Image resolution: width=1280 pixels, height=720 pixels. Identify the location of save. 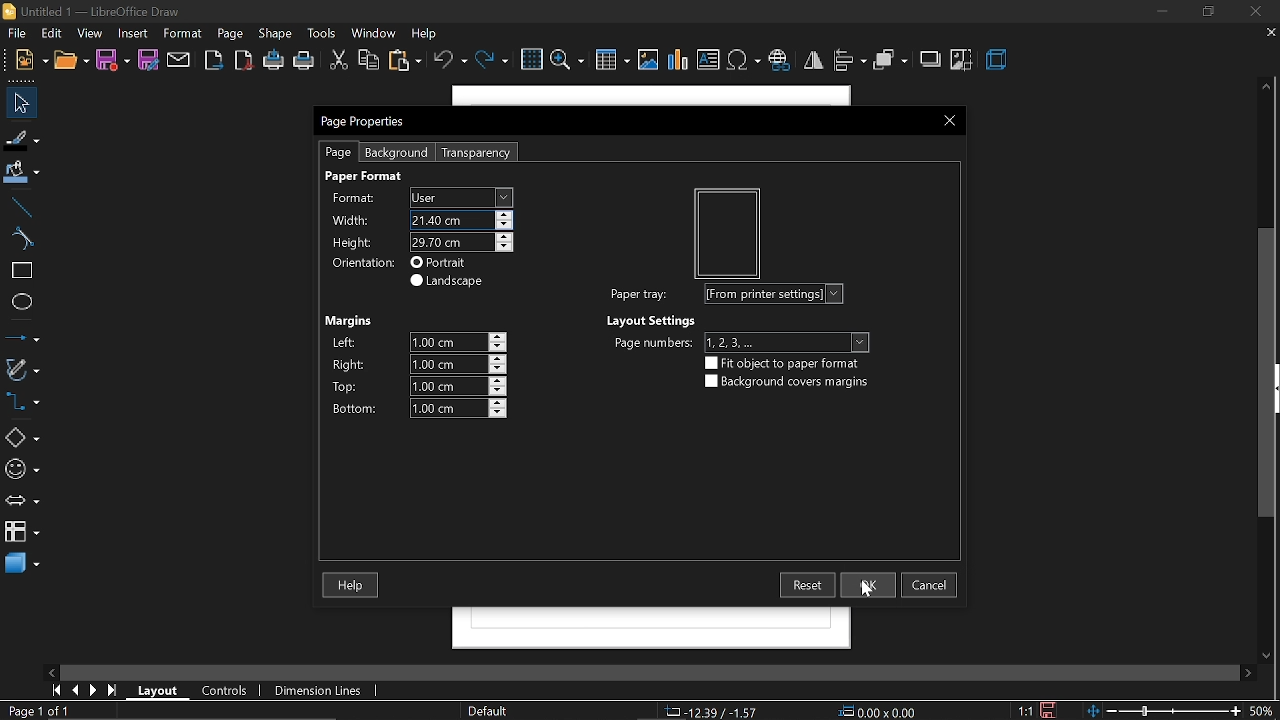
(1052, 709).